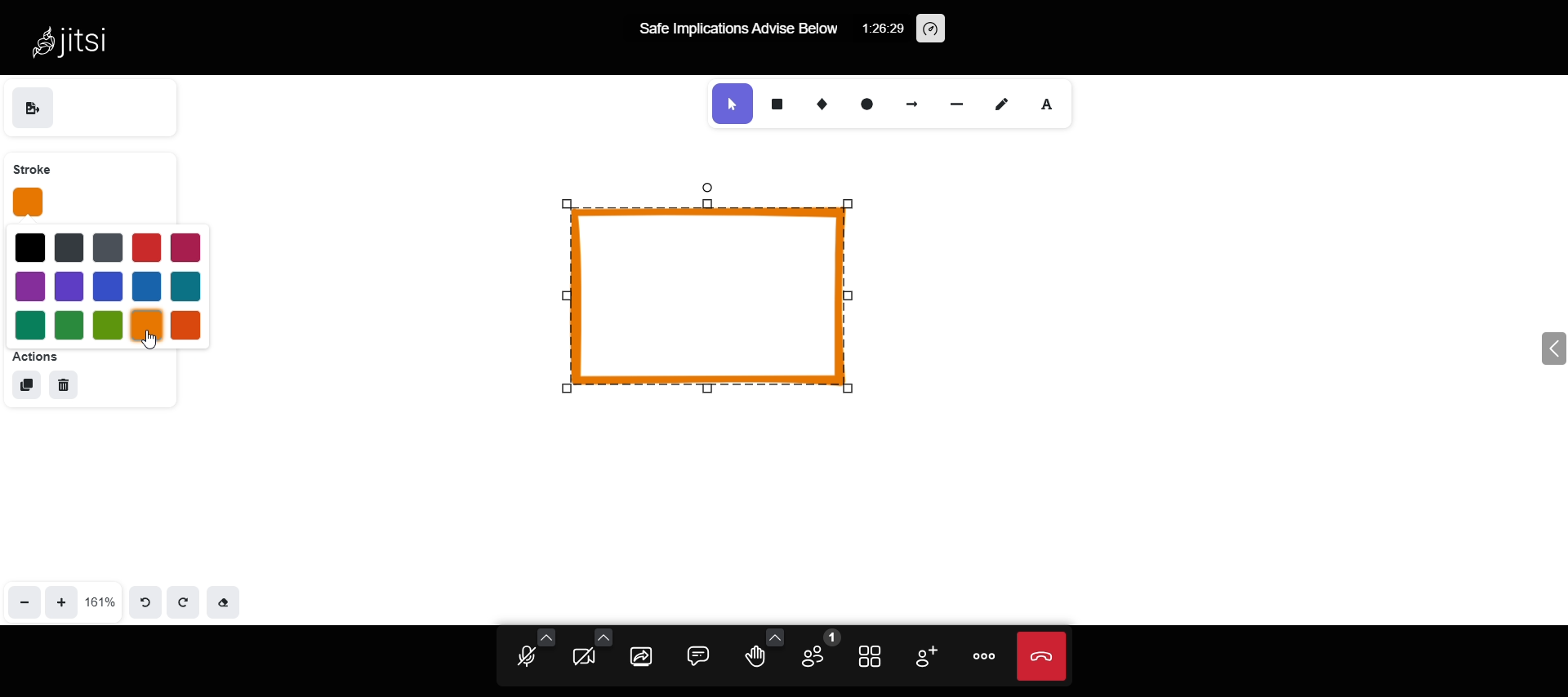 The height and width of the screenshot is (697, 1568). I want to click on stroke, so click(40, 169).